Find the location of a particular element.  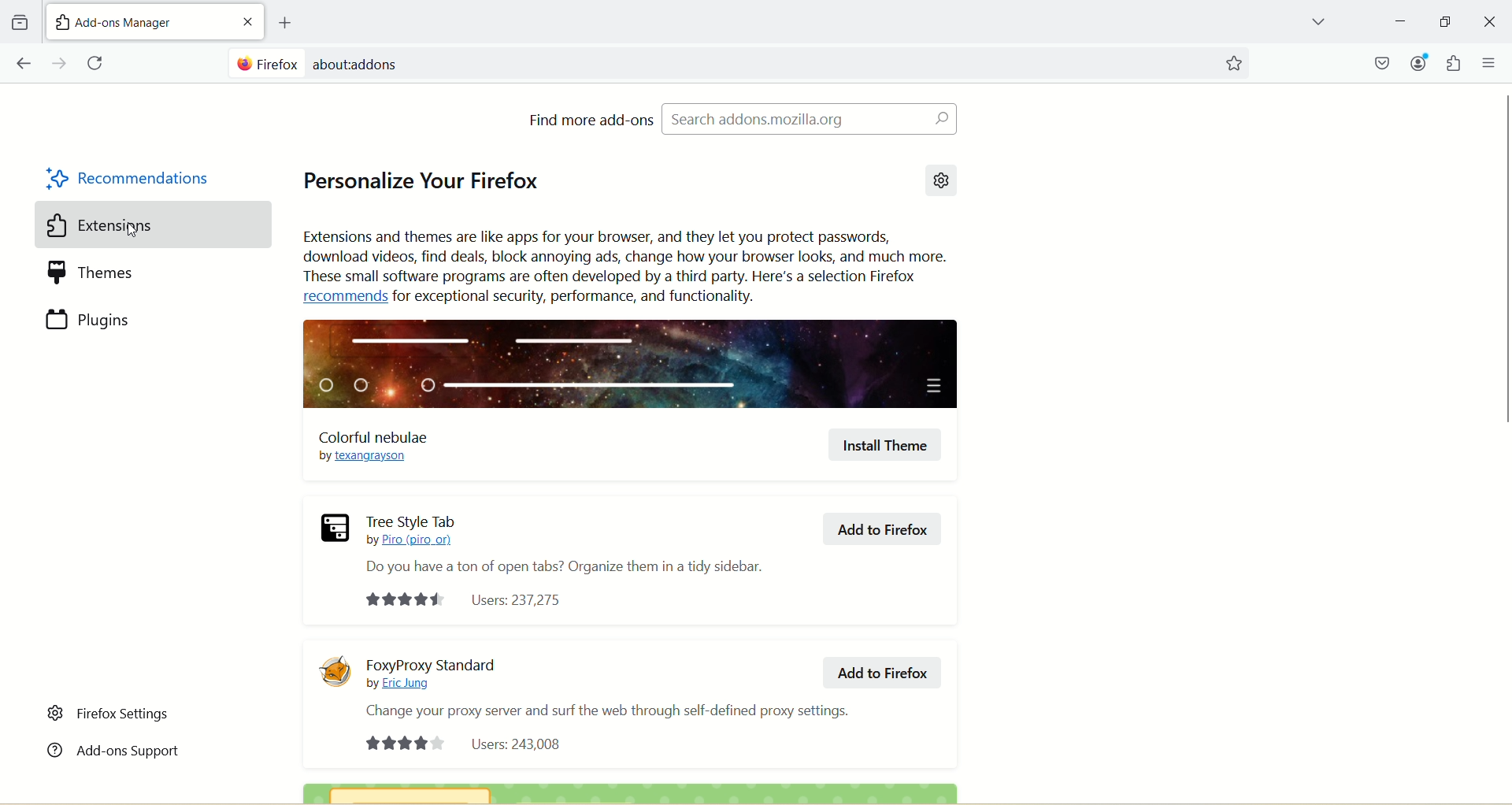

Add to Firefox is located at coordinates (886, 671).